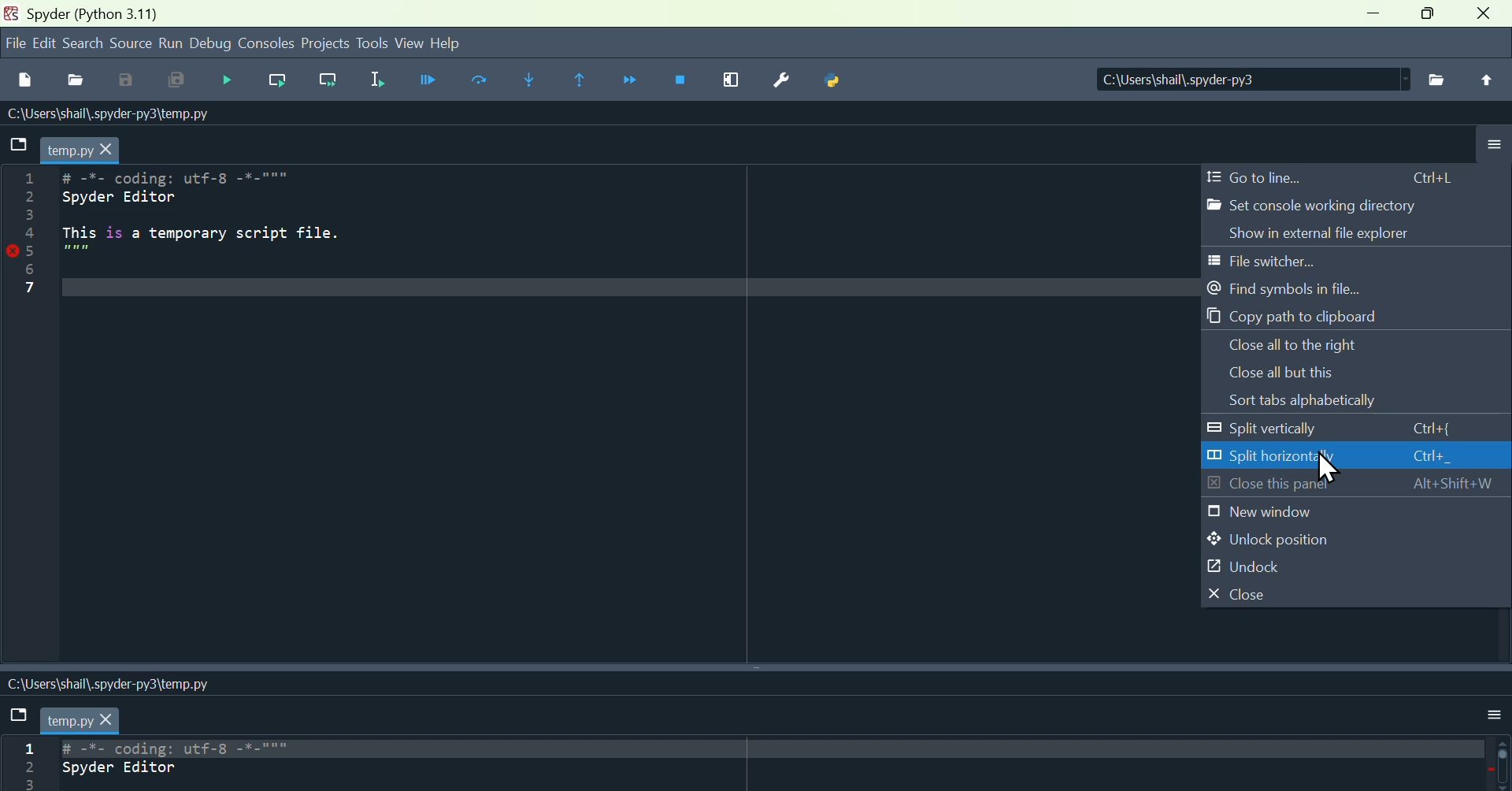 The height and width of the screenshot is (791, 1512). Describe the element at coordinates (1358, 457) in the screenshot. I see `Split horizontally` at that location.